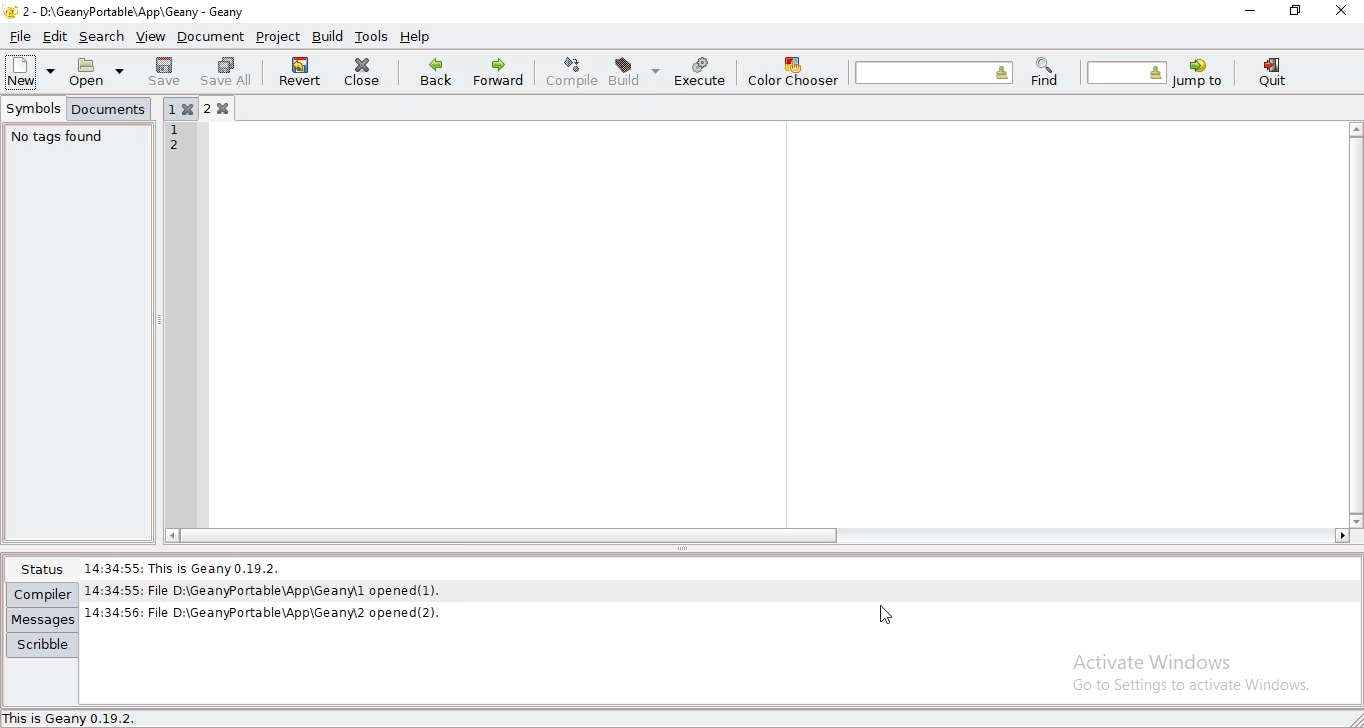 This screenshot has width=1364, height=728. What do you see at coordinates (39, 569) in the screenshot?
I see `status` at bounding box center [39, 569].